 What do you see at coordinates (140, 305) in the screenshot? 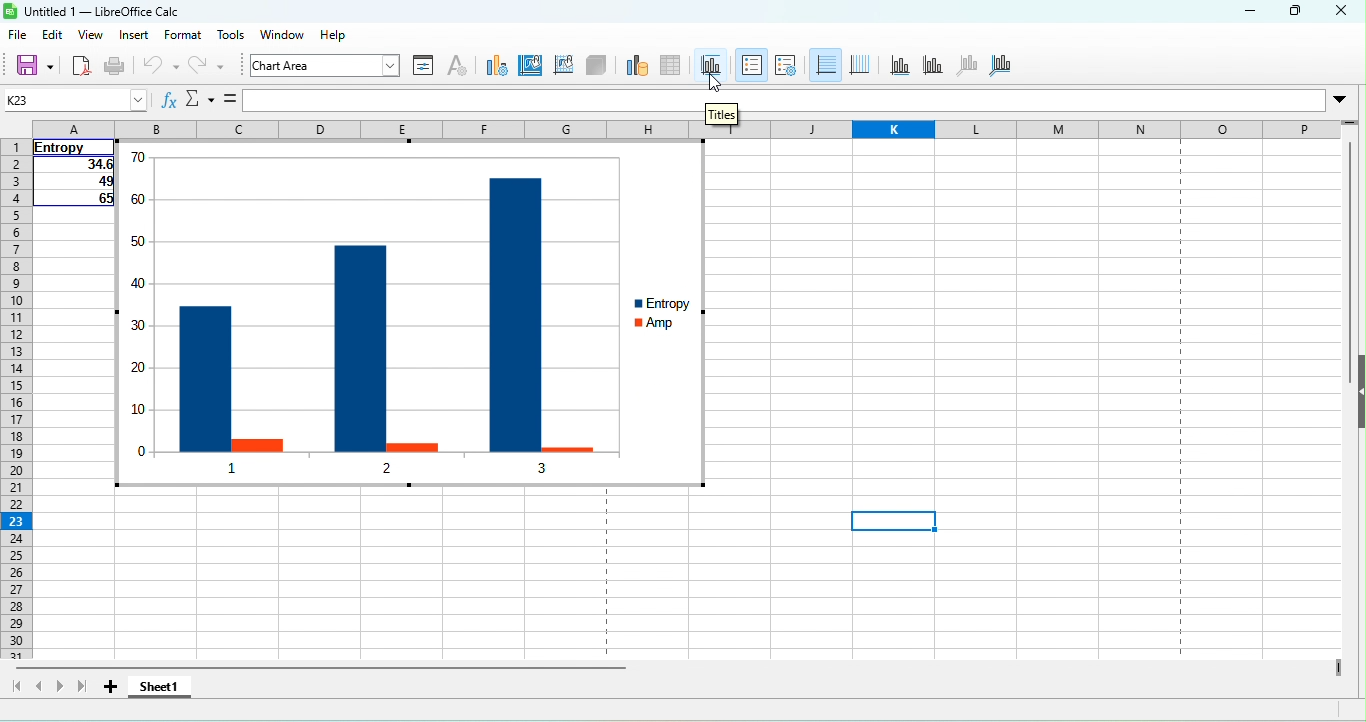
I see `y axis values` at bounding box center [140, 305].